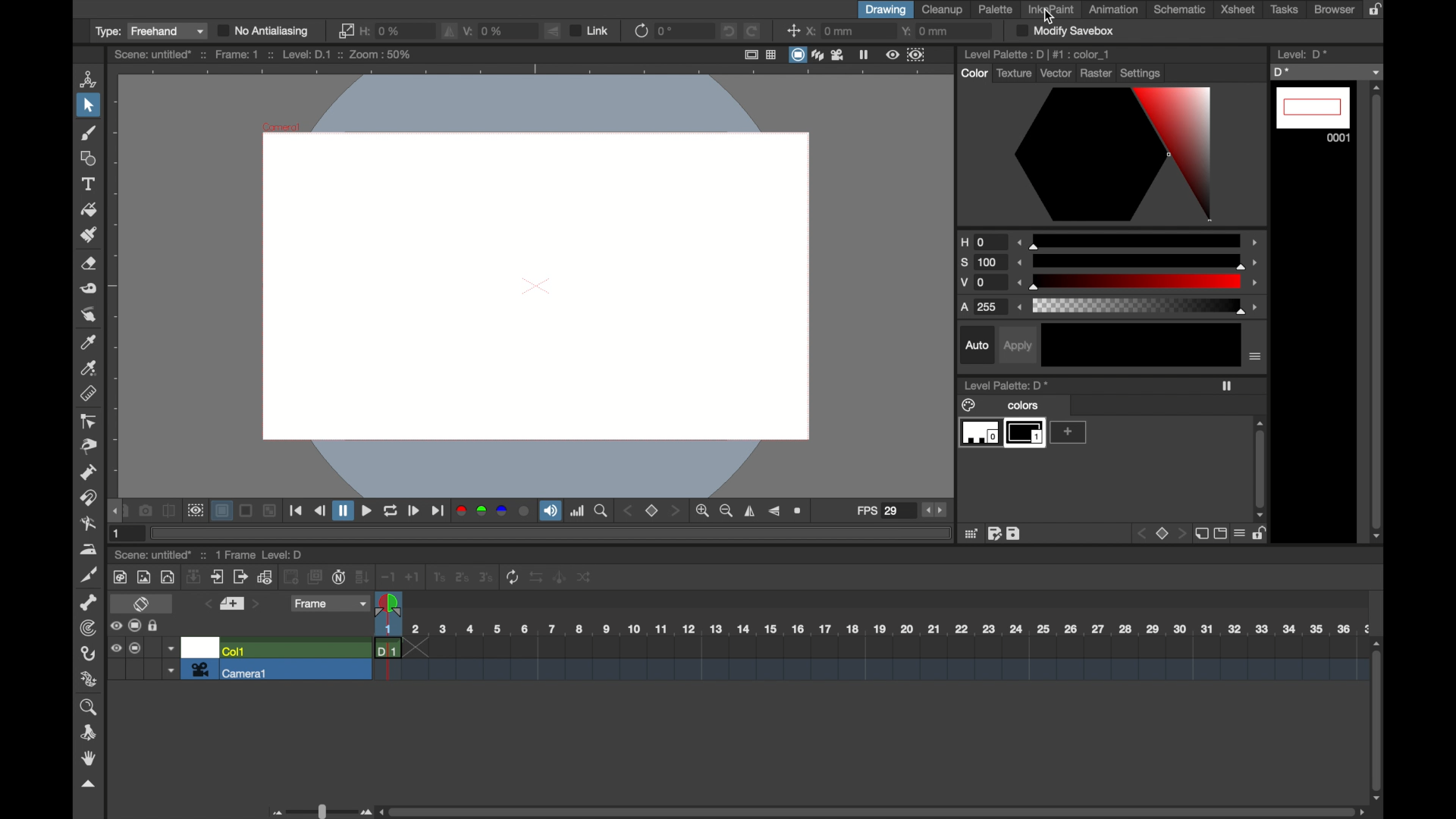 This screenshot has width=1456, height=819. I want to click on level, so click(1313, 115).